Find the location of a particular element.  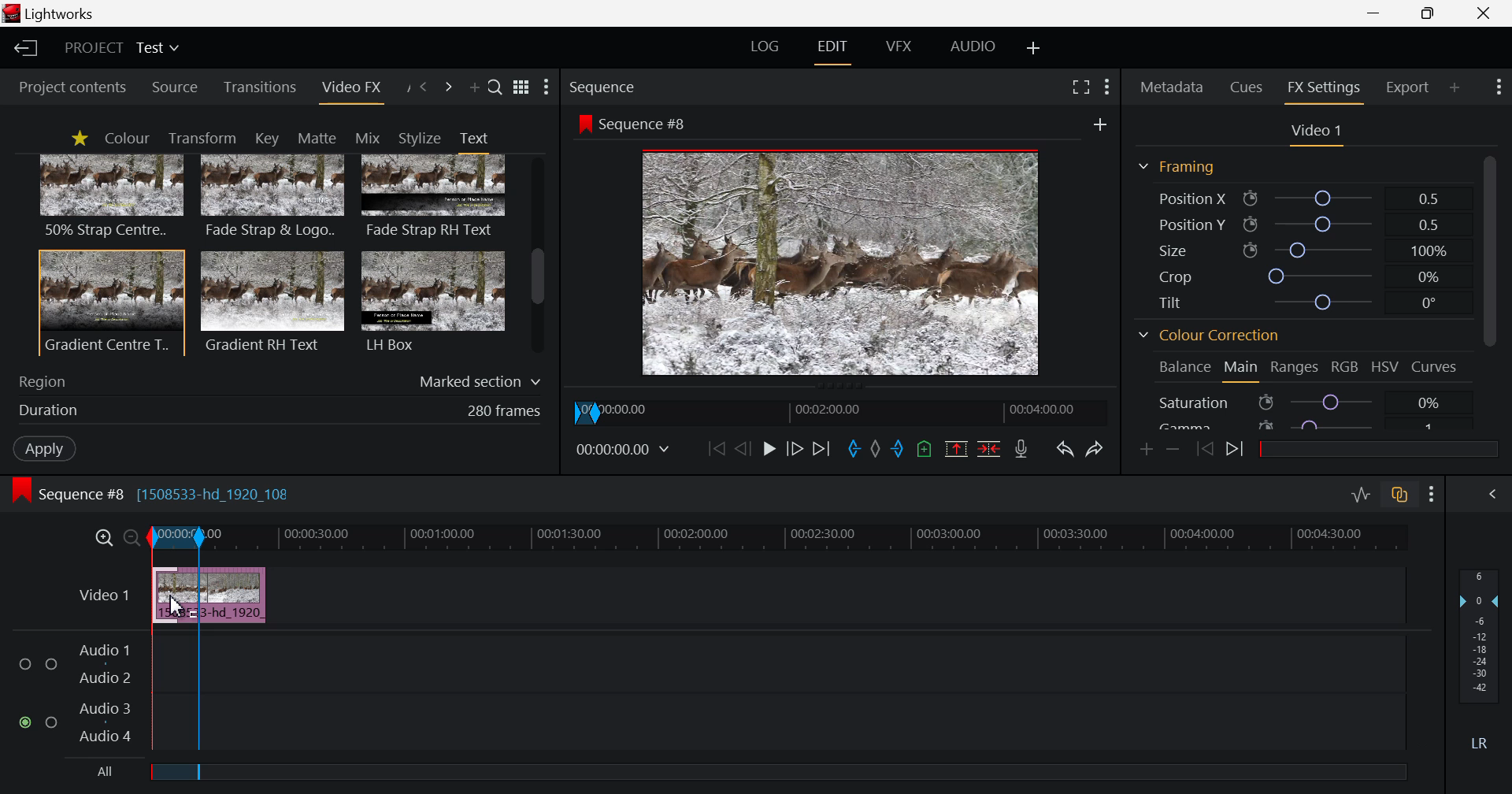

To End is located at coordinates (823, 448).